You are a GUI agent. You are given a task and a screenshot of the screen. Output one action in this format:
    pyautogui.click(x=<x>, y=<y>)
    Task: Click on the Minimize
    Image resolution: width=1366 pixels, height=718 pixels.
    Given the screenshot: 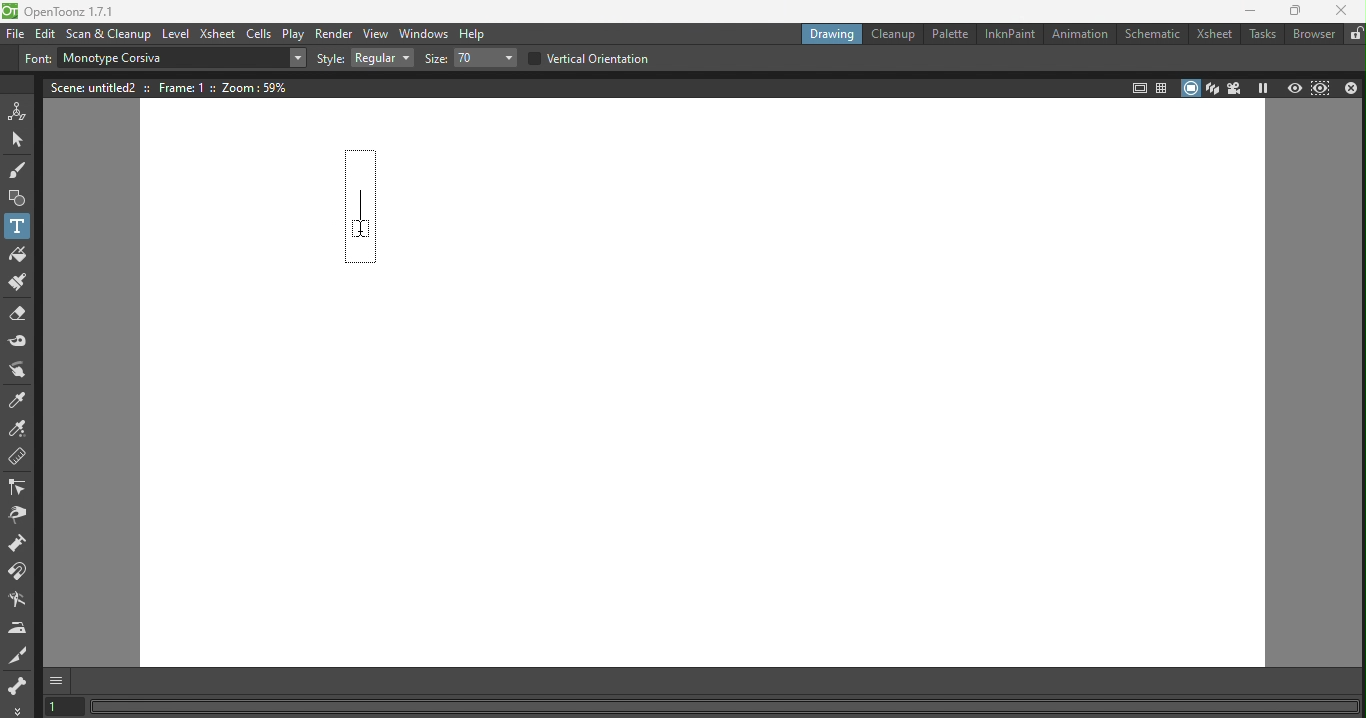 What is the action you would take?
    pyautogui.click(x=1251, y=10)
    